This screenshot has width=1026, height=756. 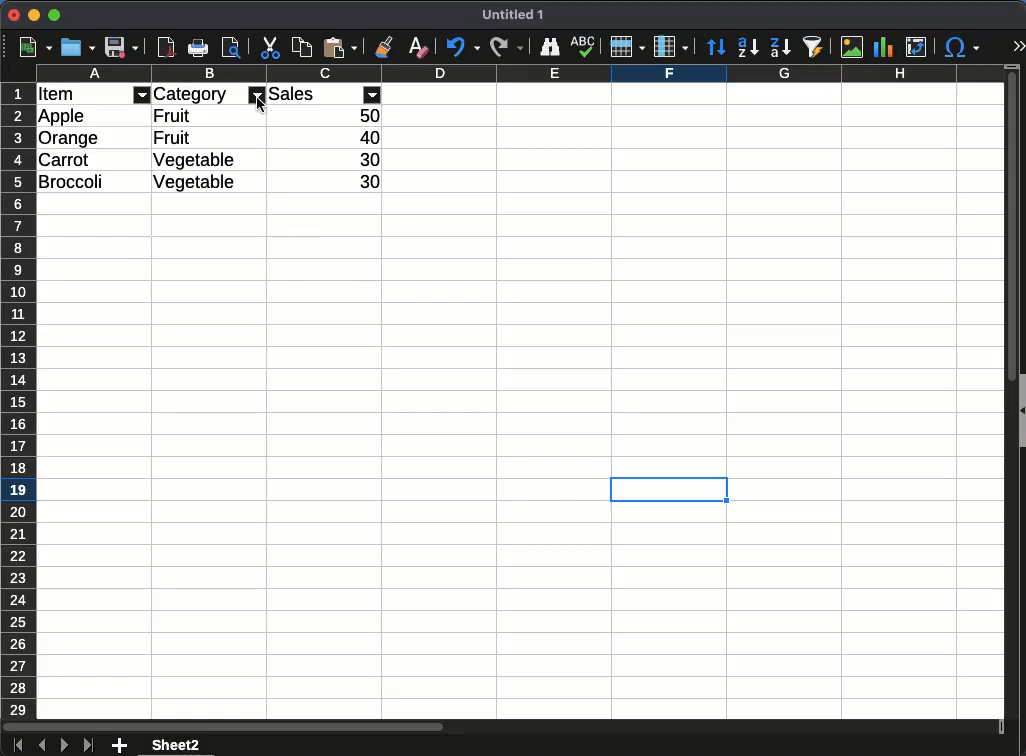 What do you see at coordinates (920, 44) in the screenshot?
I see `pivot table` at bounding box center [920, 44].